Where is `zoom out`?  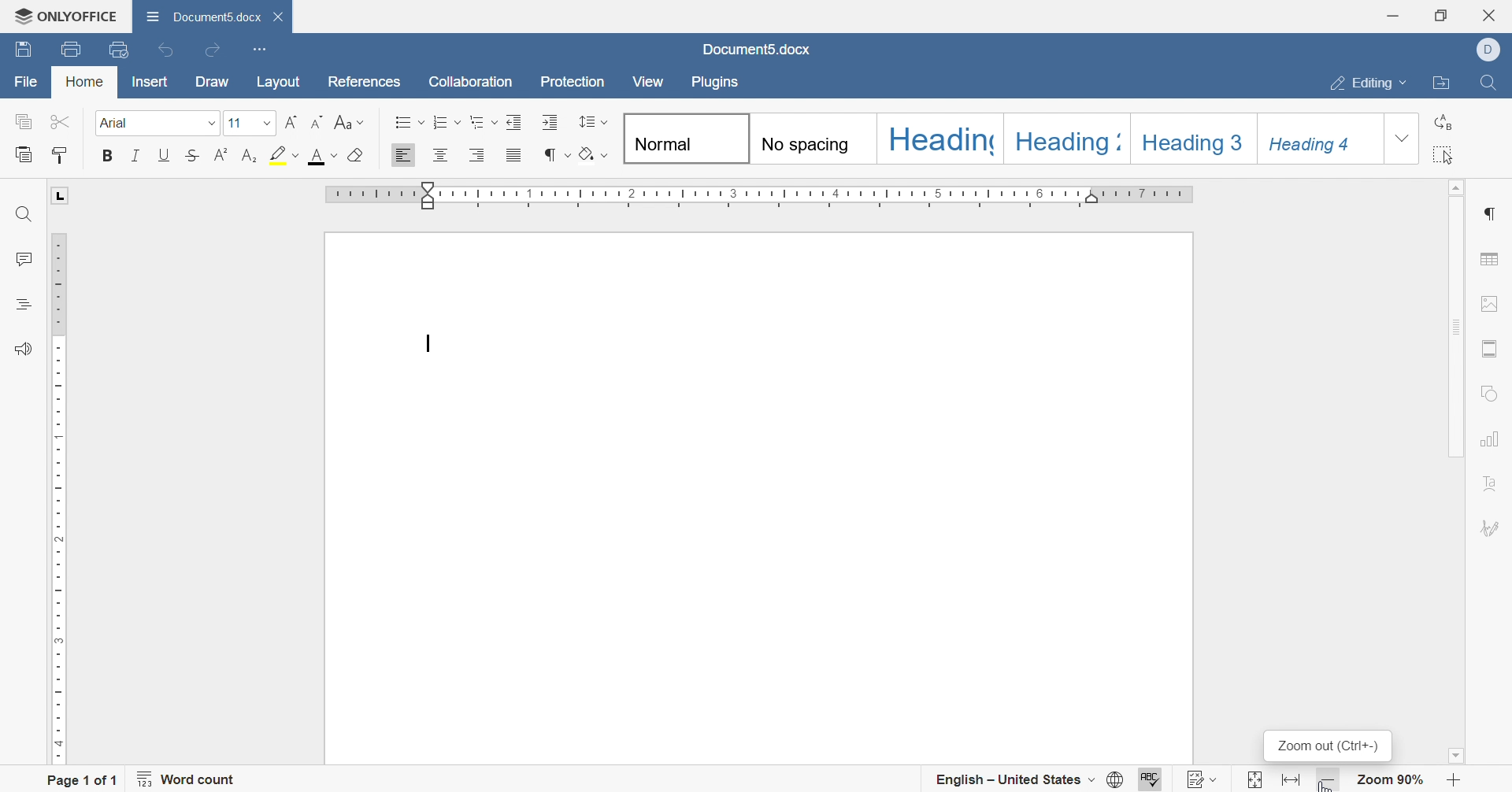
zoom out is located at coordinates (1332, 782).